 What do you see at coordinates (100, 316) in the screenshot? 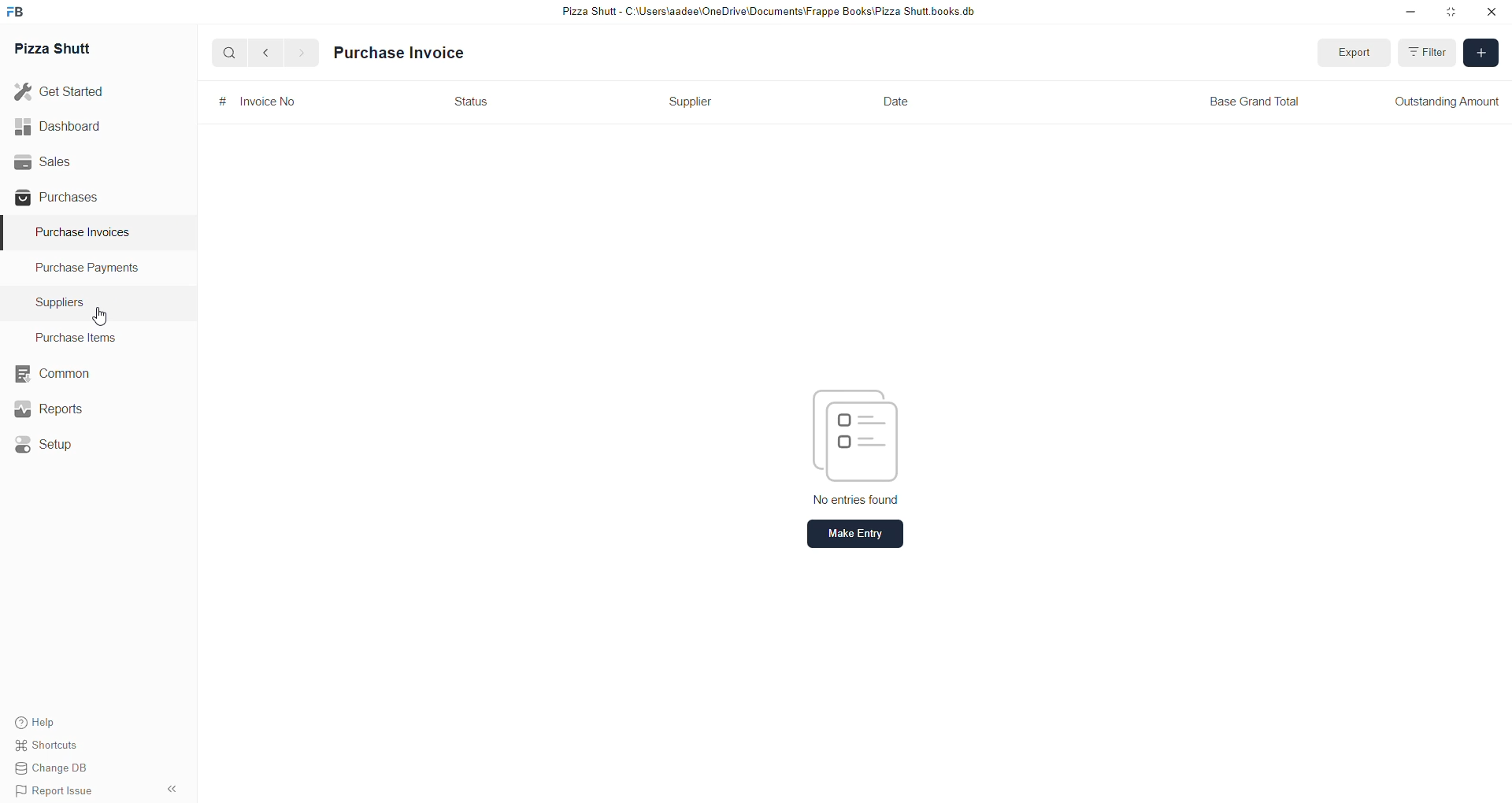
I see `cursor` at bounding box center [100, 316].